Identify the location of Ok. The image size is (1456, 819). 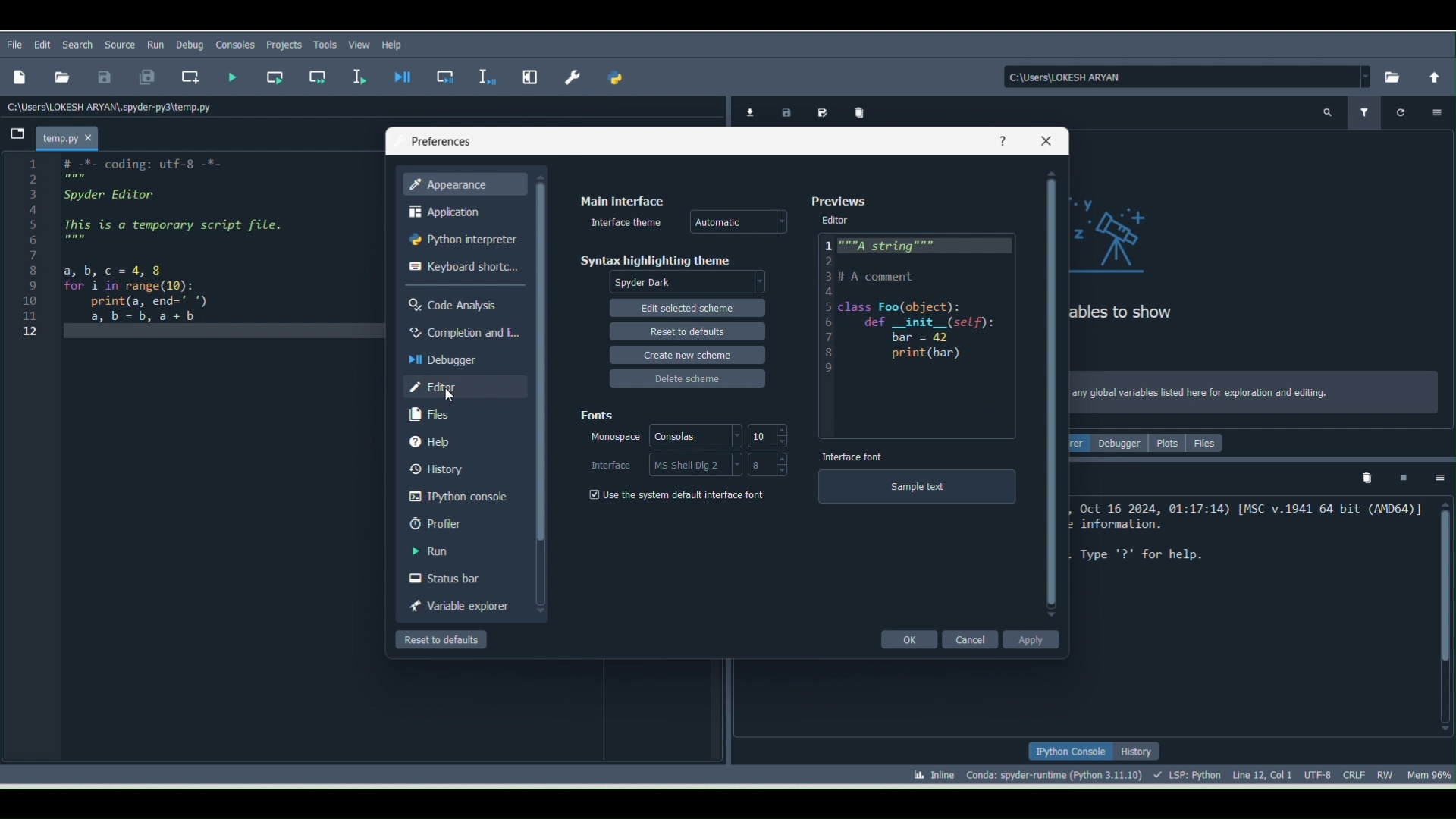
(907, 638).